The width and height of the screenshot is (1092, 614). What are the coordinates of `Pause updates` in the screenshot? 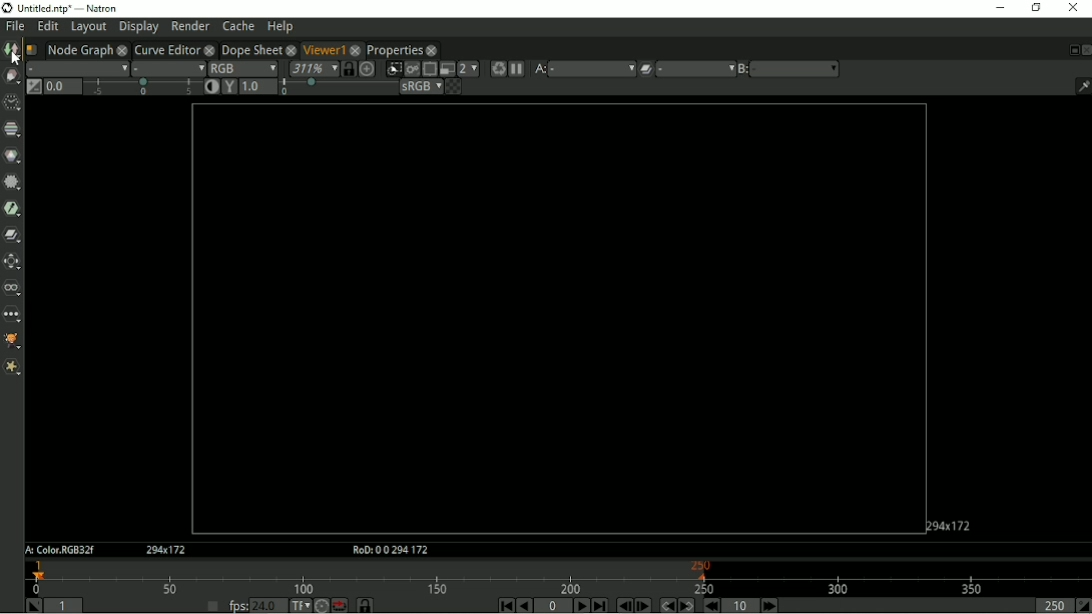 It's located at (518, 69).